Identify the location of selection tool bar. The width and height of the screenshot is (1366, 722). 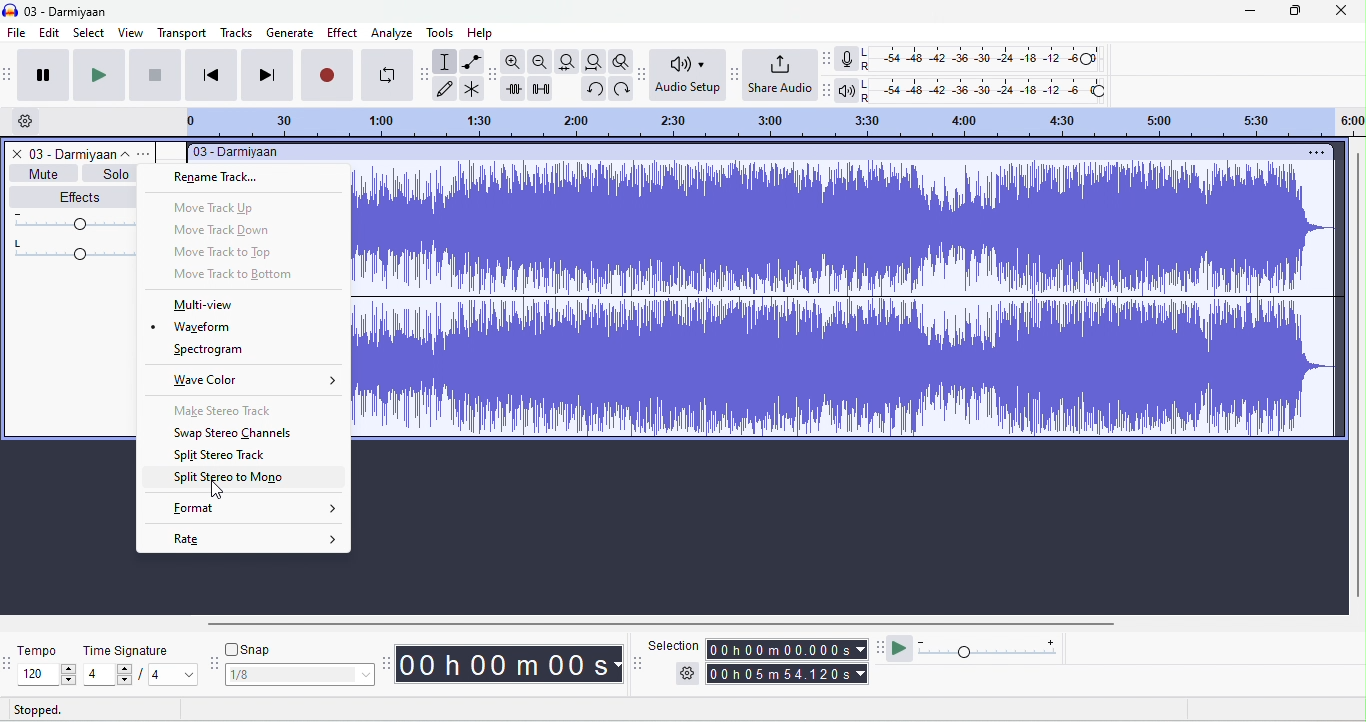
(639, 663).